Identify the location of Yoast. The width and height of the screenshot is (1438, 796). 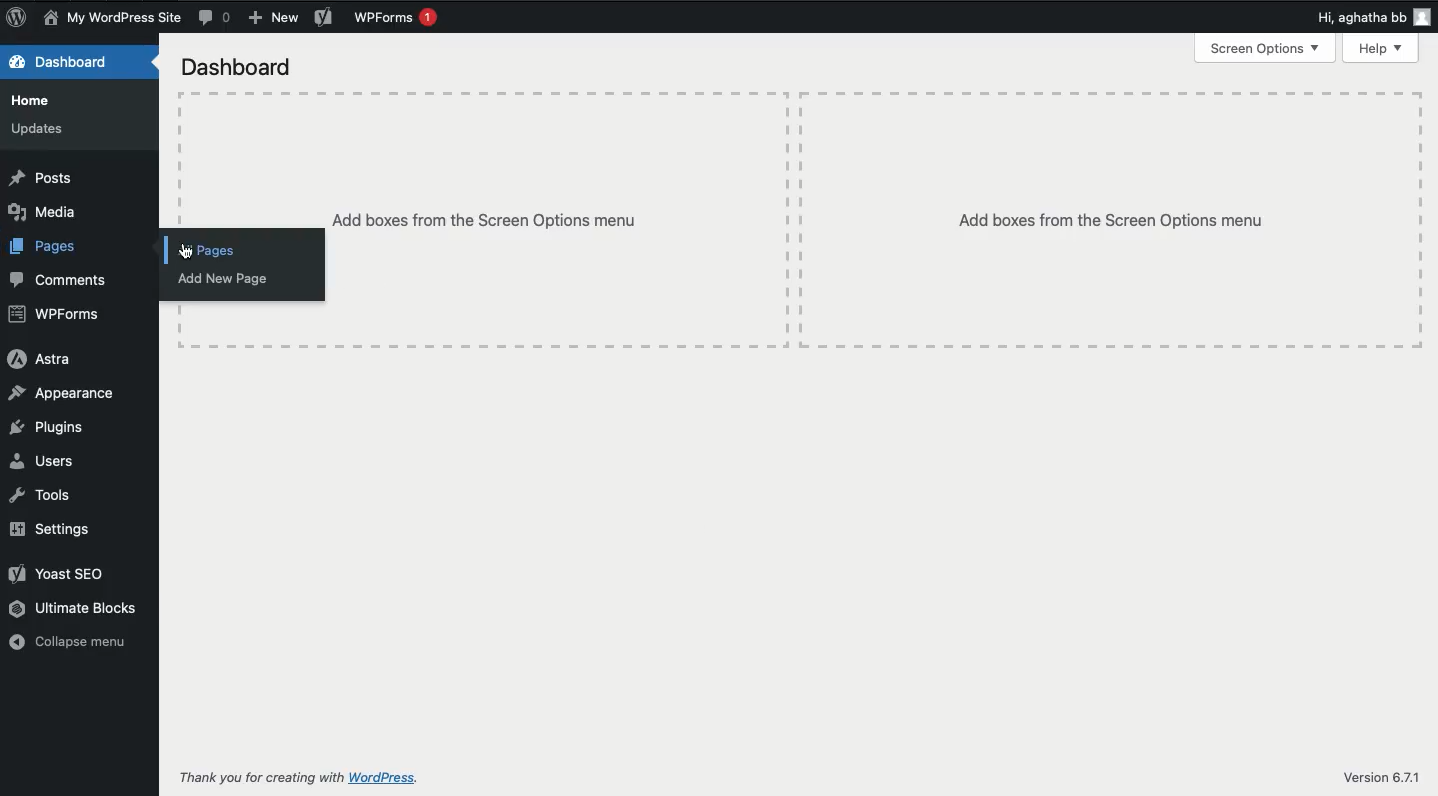
(322, 18).